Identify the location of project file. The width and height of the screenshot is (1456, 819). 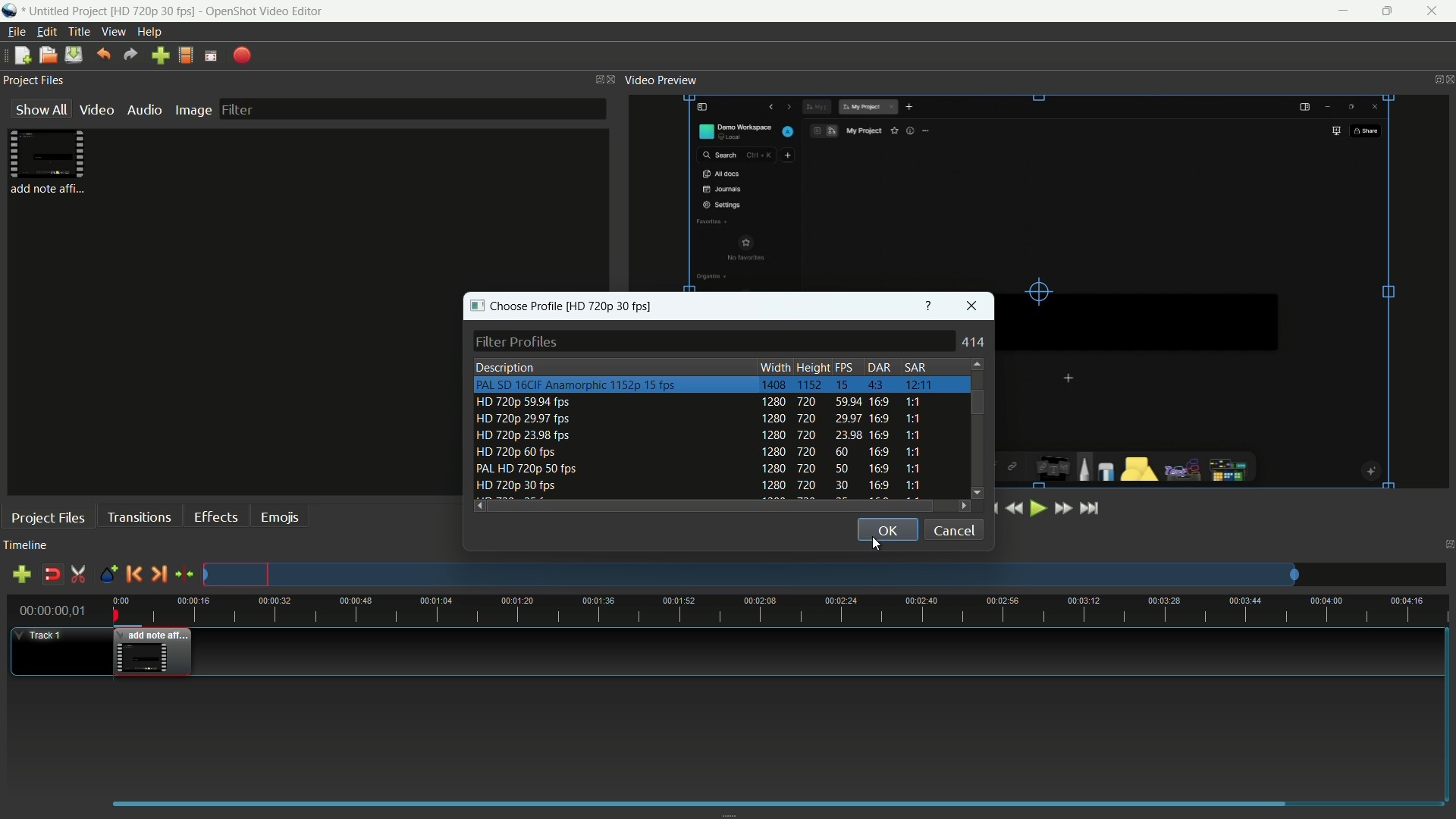
(51, 162).